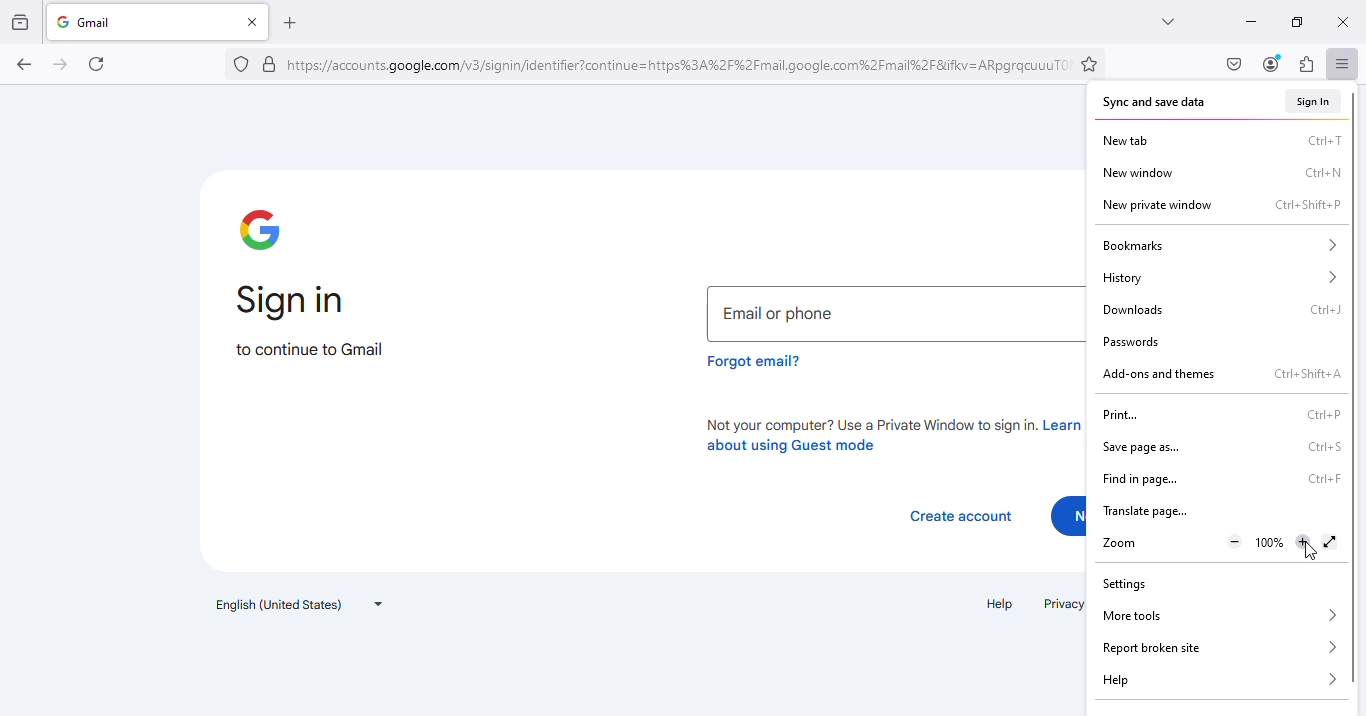 Image resolution: width=1366 pixels, height=716 pixels. Describe the element at coordinates (1311, 550) in the screenshot. I see `cursor` at that location.